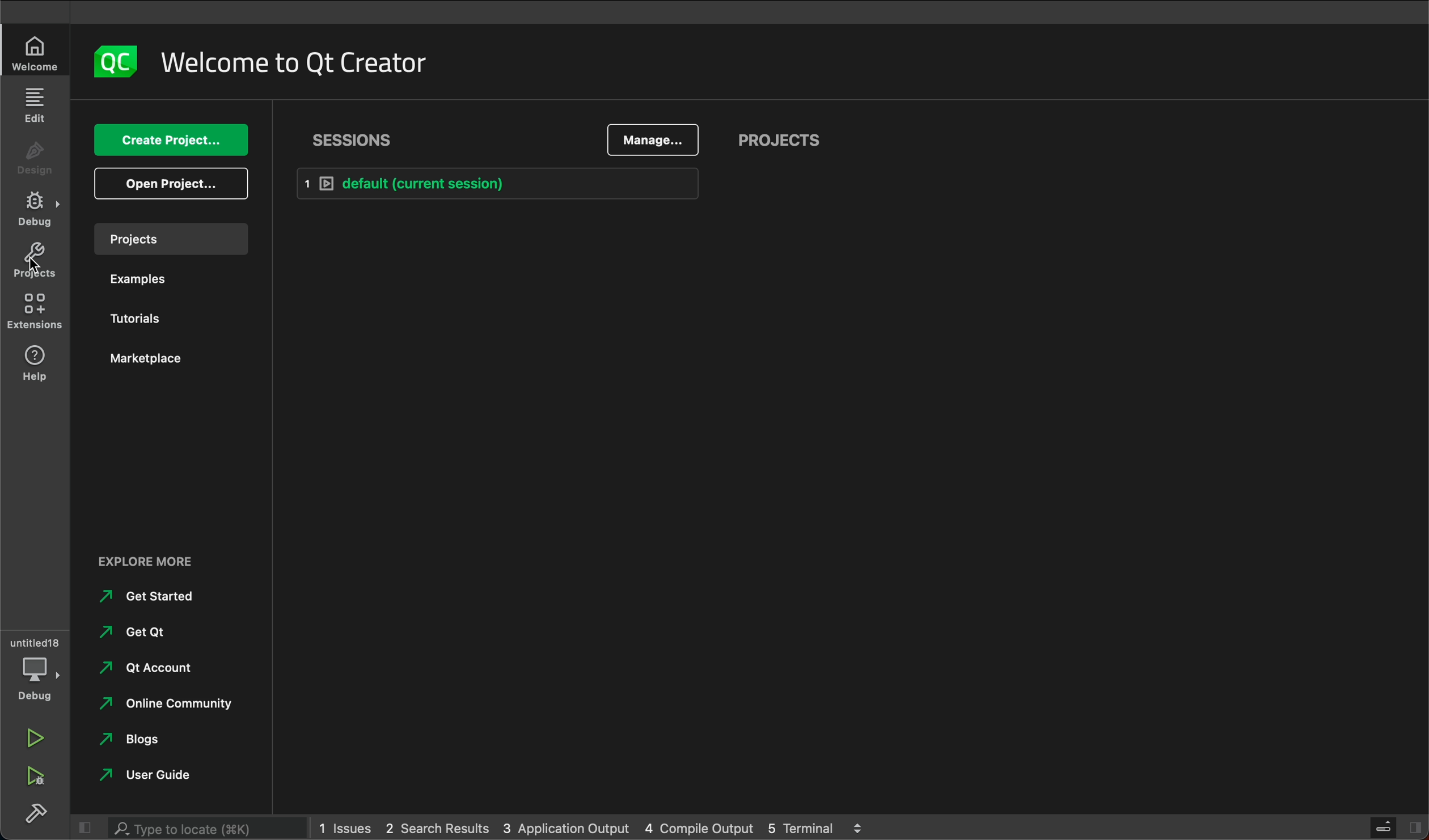  What do you see at coordinates (173, 237) in the screenshot?
I see `projects` at bounding box center [173, 237].